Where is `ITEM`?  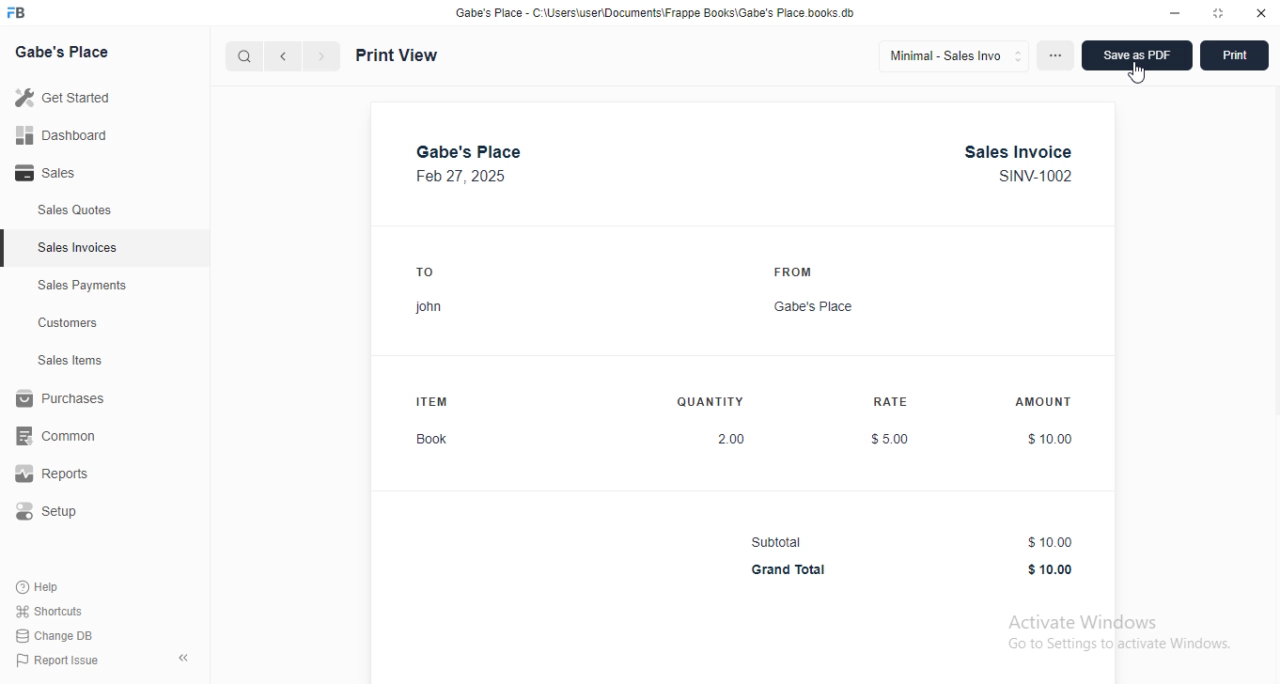 ITEM is located at coordinates (434, 401).